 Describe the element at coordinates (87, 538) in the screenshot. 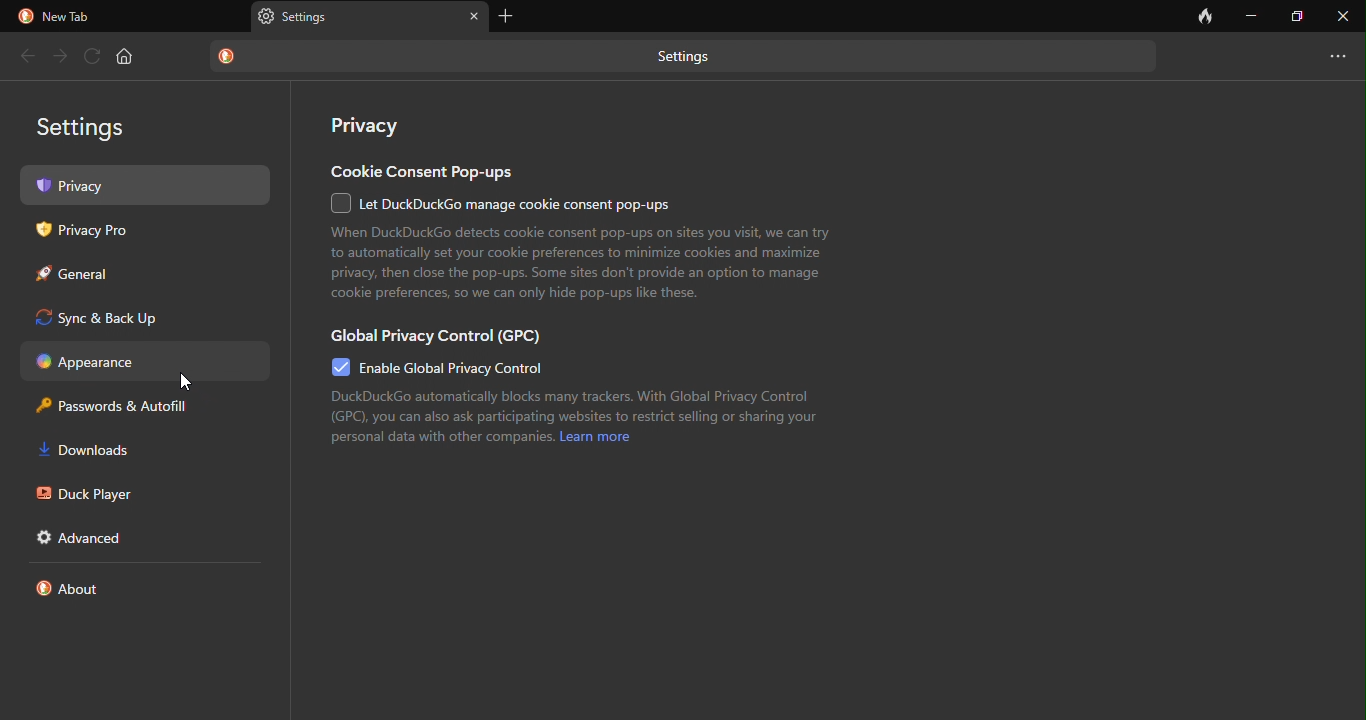

I see `advanced` at that location.